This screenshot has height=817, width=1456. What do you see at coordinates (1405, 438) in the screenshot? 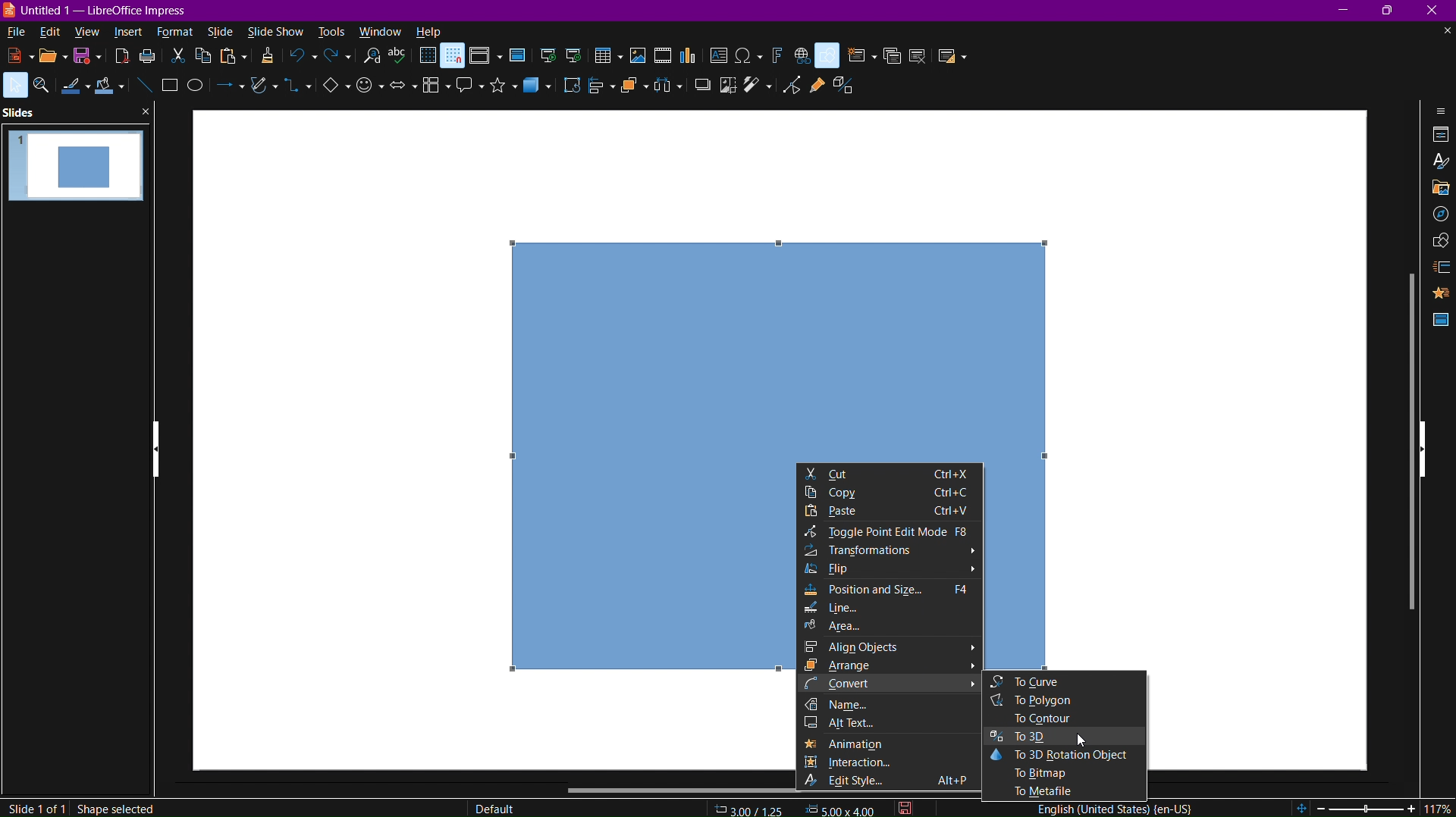
I see `Scrollbar` at bounding box center [1405, 438].